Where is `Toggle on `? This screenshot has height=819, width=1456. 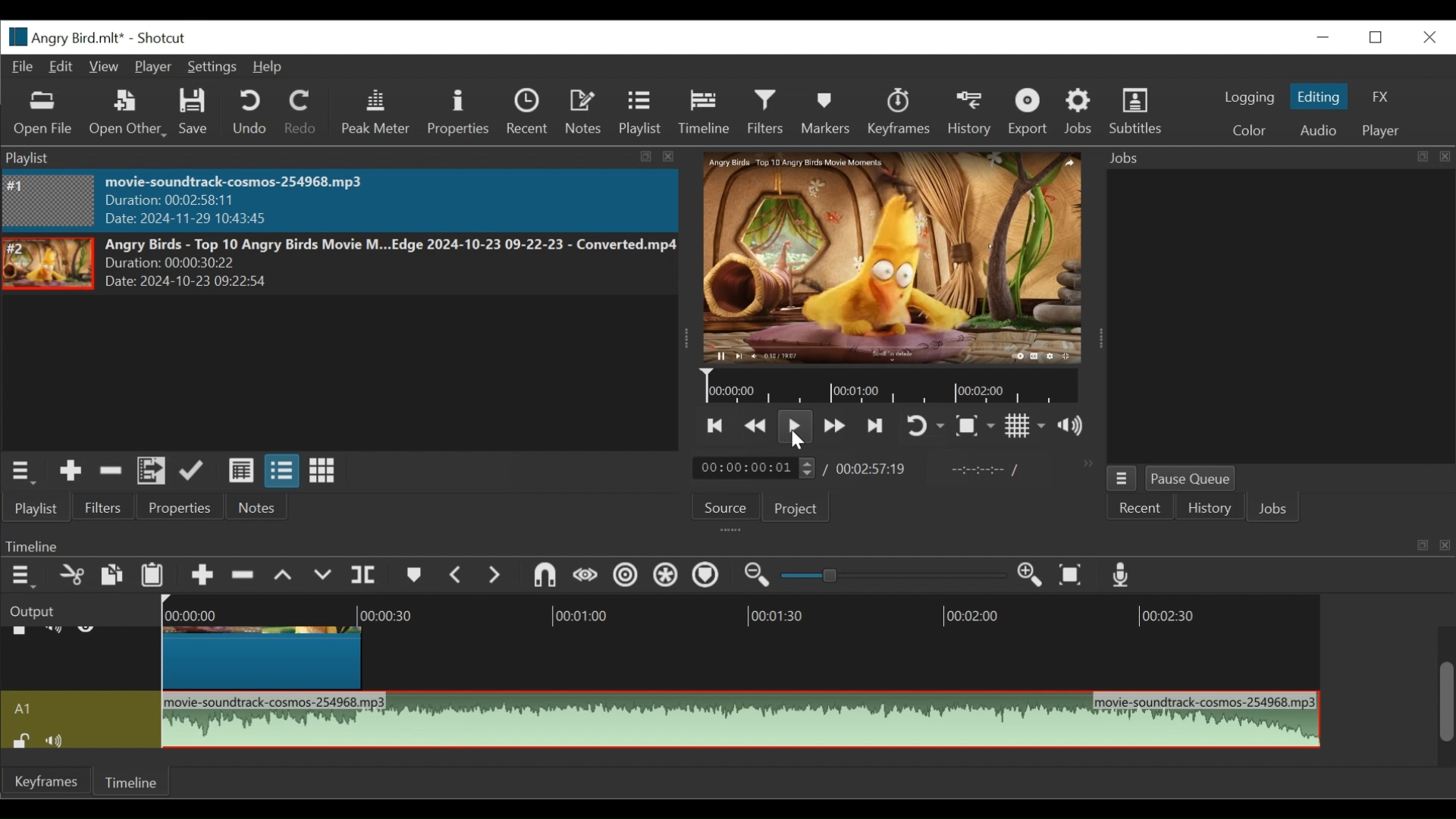 Toggle on  is located at coordinates (927, 425).